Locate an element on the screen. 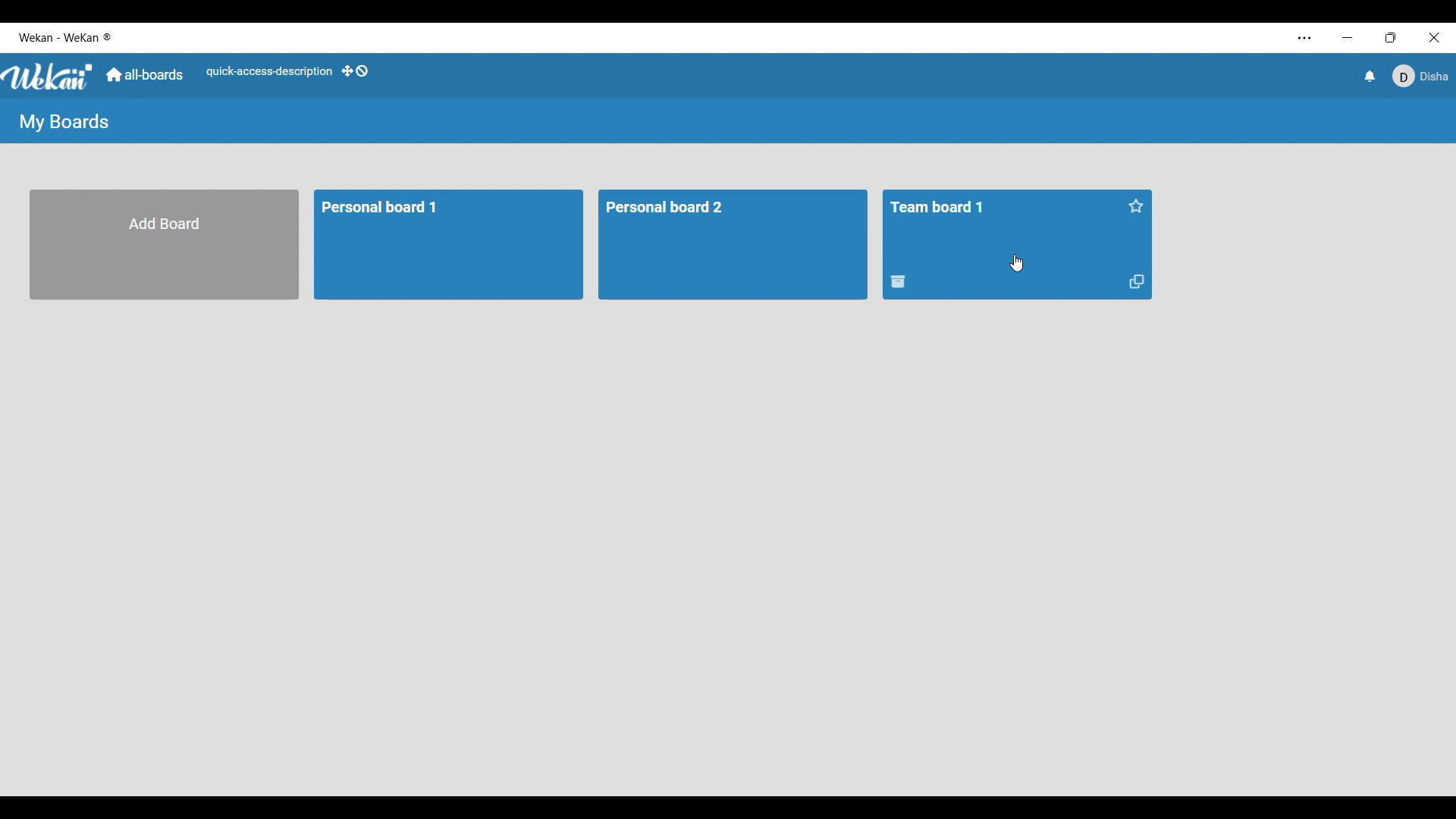  cursor is located at coordinates (1016, 263).